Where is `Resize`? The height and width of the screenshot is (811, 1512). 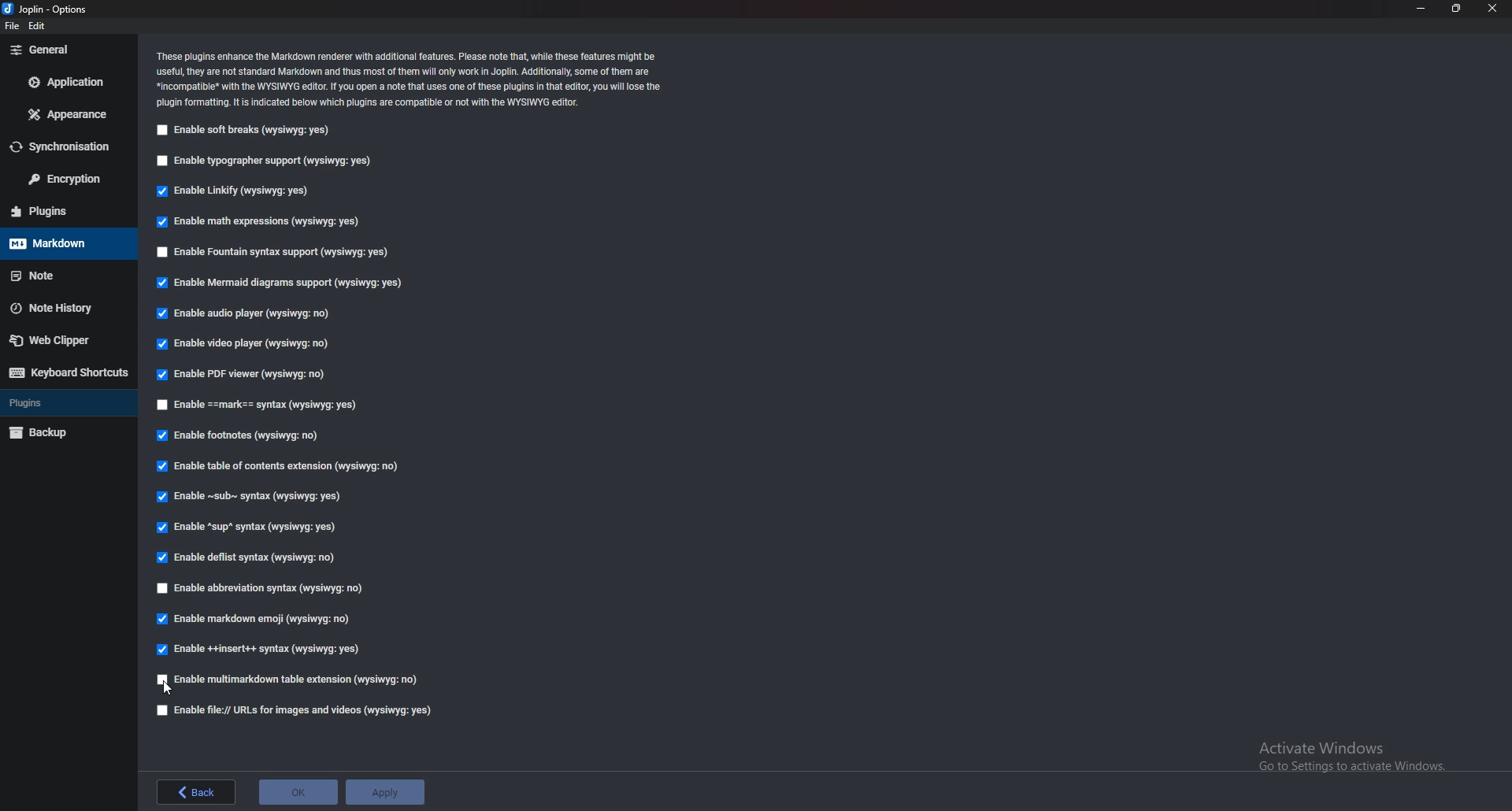 Resize is located at coordinates (1456, 9).